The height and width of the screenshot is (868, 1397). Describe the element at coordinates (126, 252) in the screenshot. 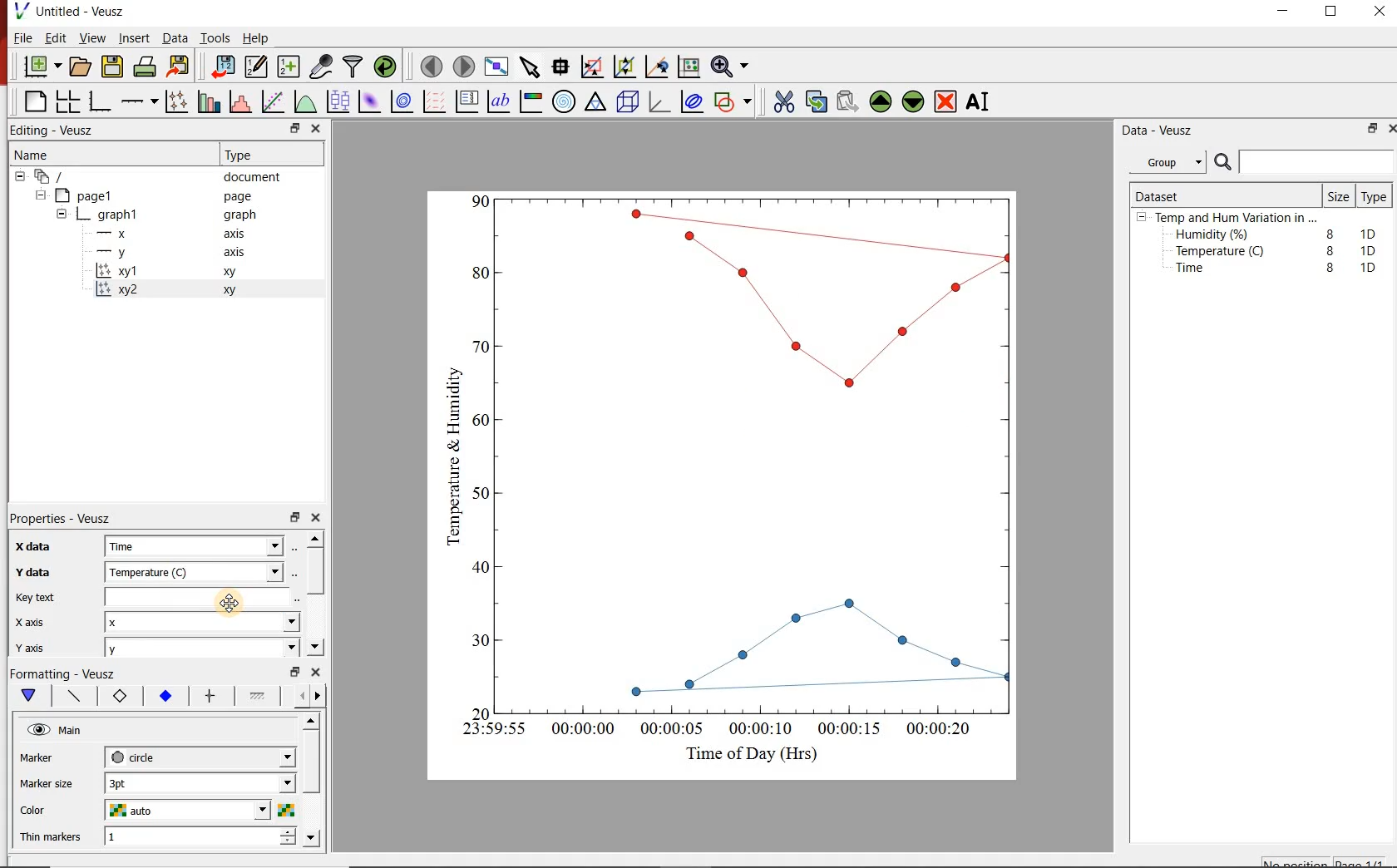

I see `y` at that location.